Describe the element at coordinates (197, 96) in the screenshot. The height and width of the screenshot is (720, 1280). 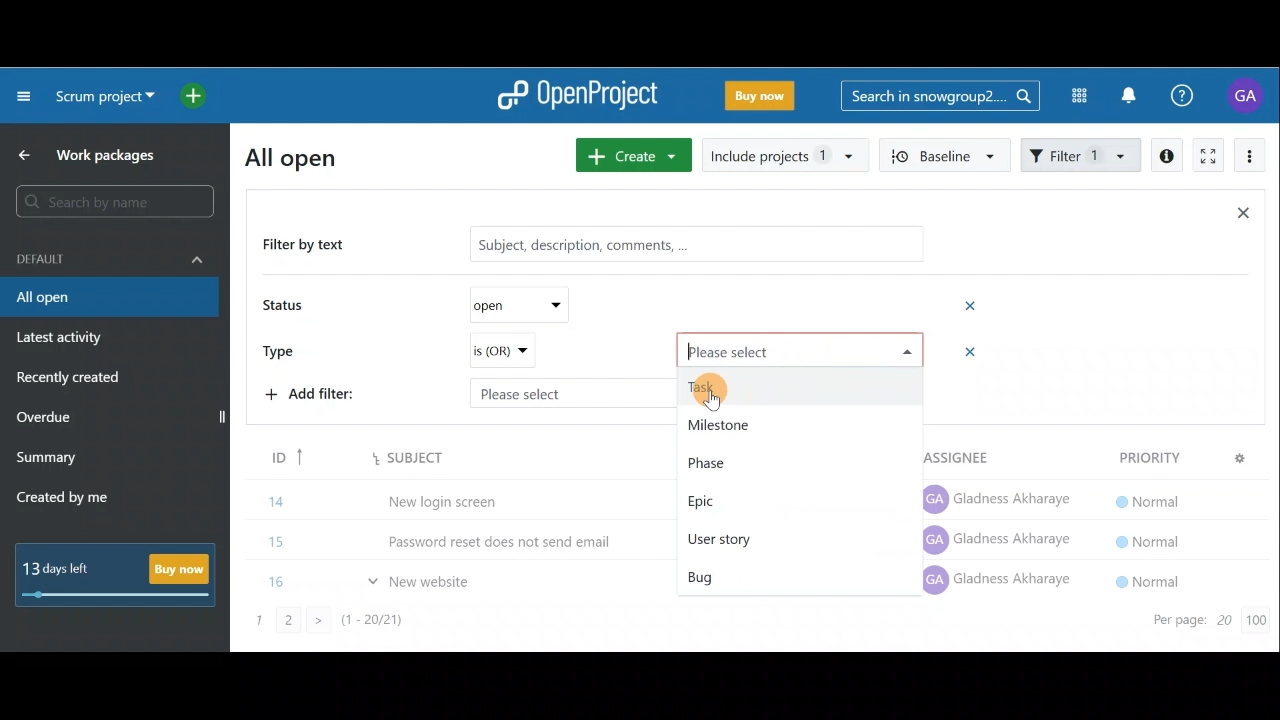
I see `Open quick add menu` at that location.